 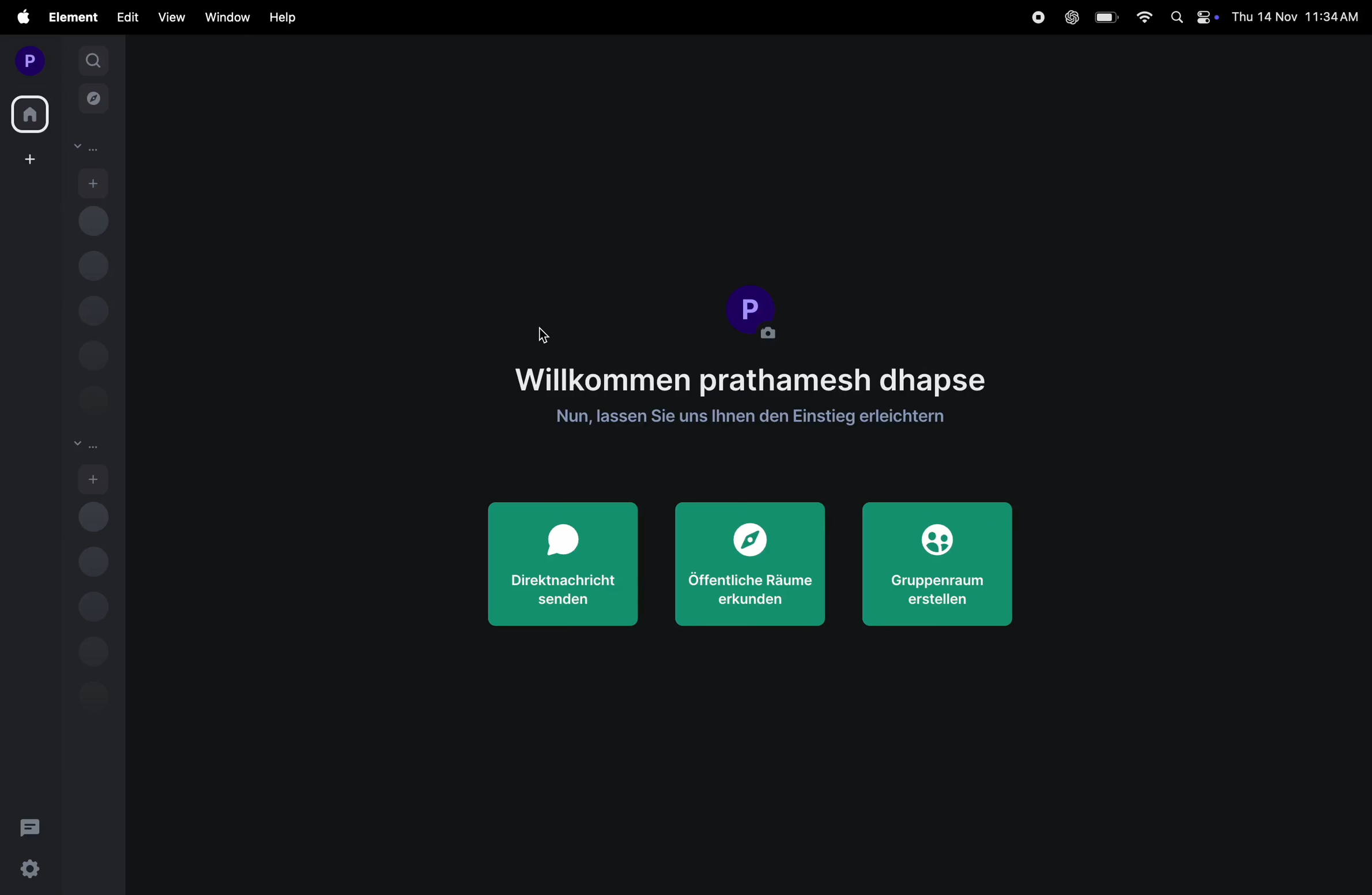 What do you see at coordinates (754, 313) in the screenshot?
I see `profile` at bounding box center [754, 313].